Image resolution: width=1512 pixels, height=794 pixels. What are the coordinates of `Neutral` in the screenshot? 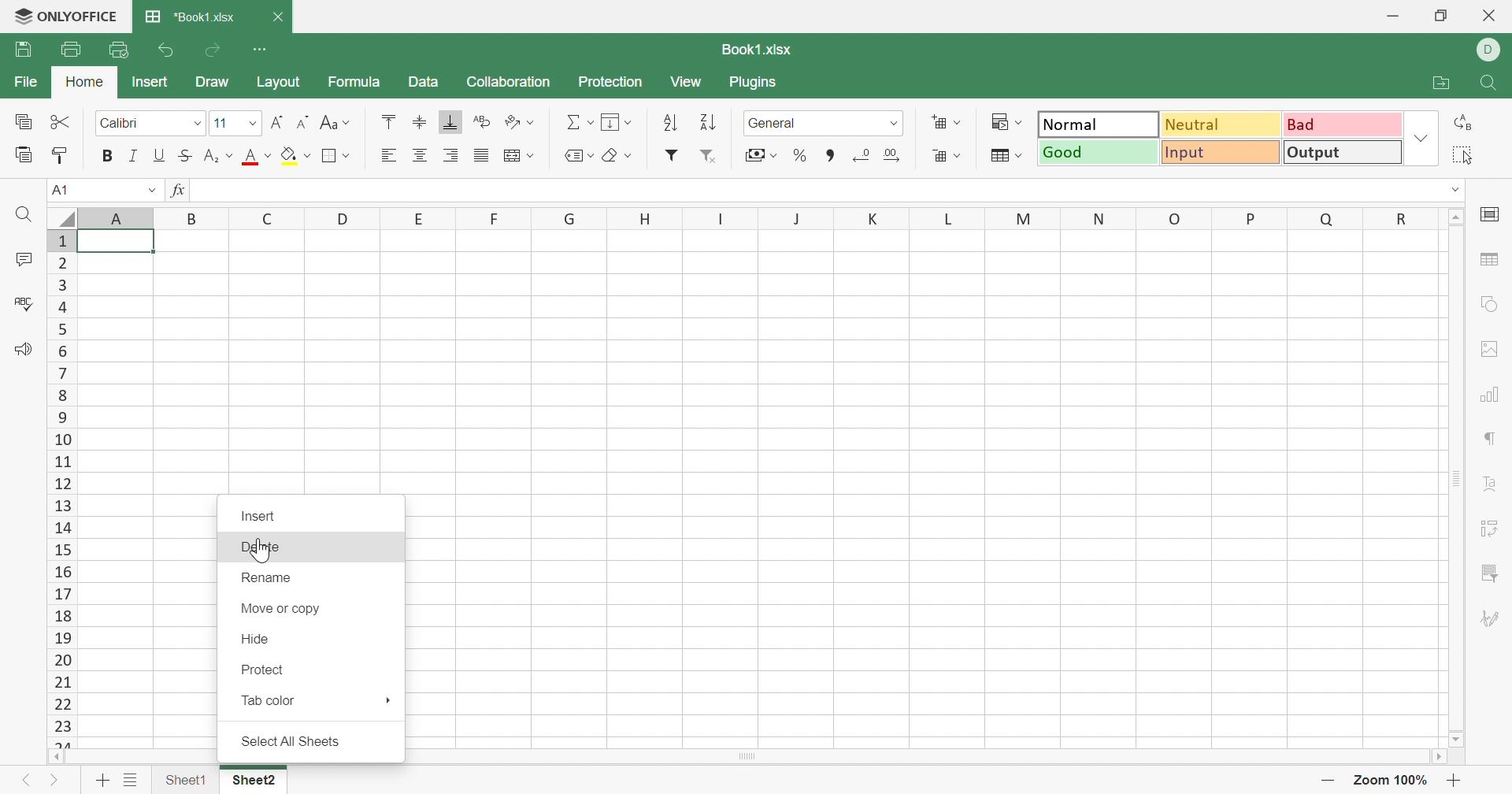 It's located at (1218, 124).